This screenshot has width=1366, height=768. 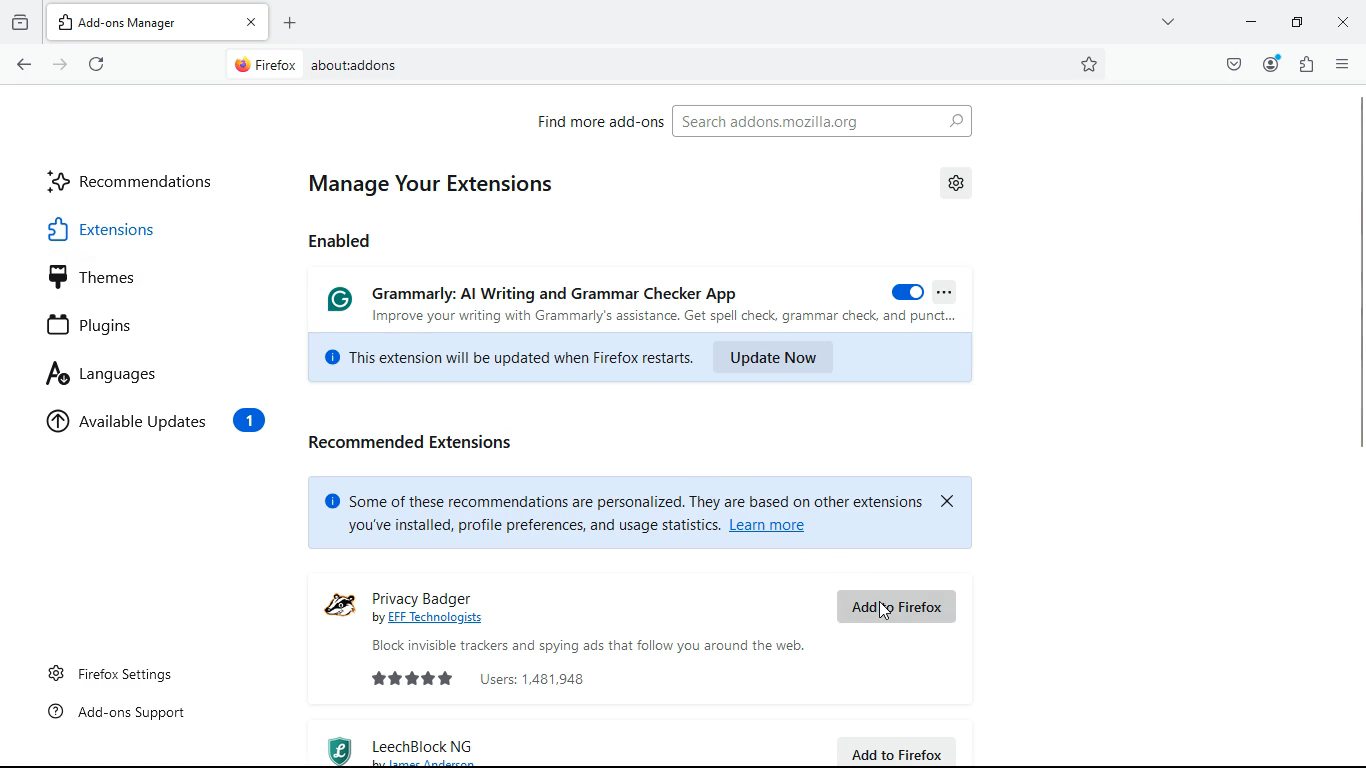 What do you see at coordinates (888, 614) in the screenshot?
I see `Cursor` at bounding box center [888, 614].